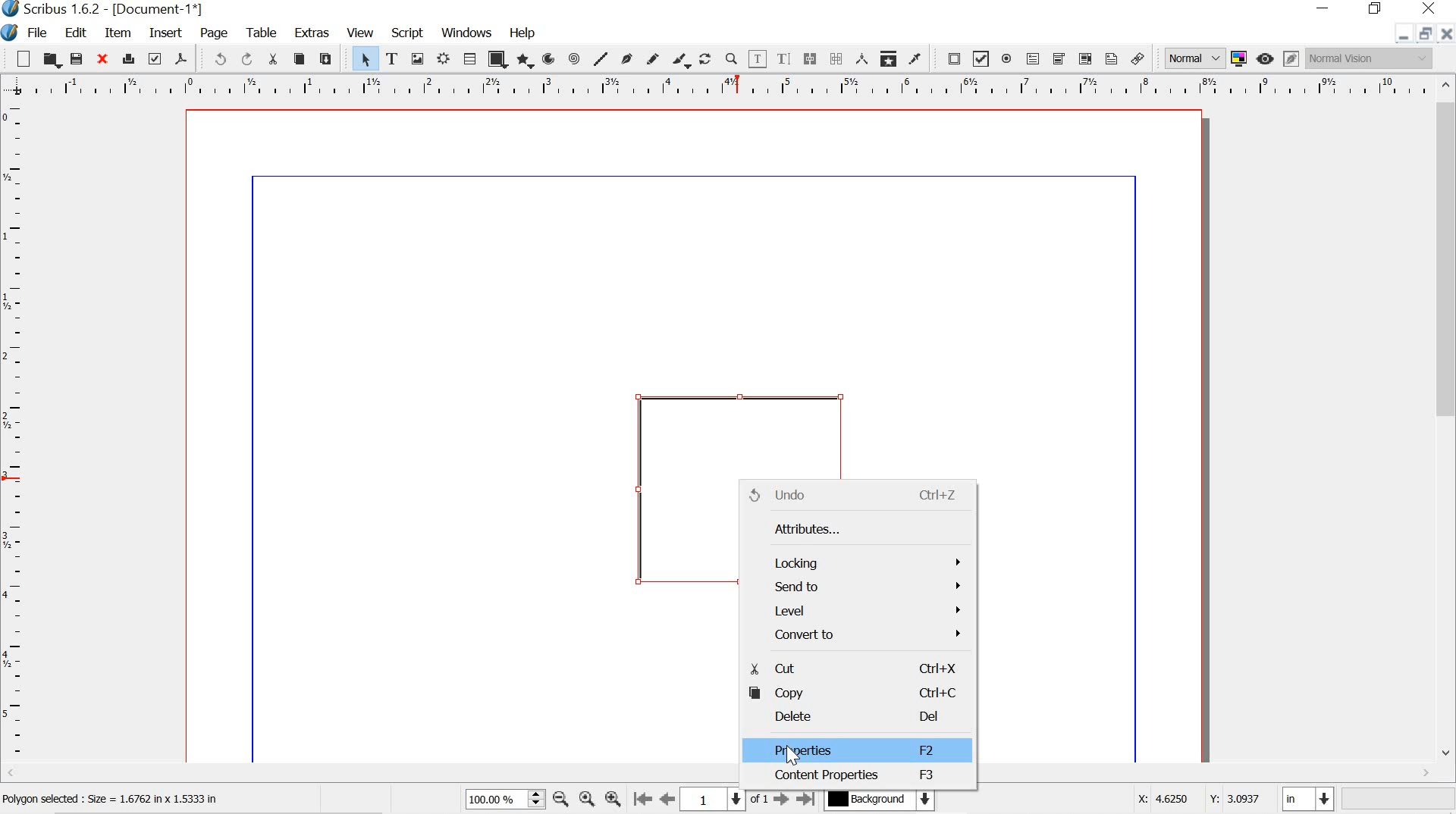 The height and width of the screenshot is (814, 1456). Describe the element at coordinates (854, 778) in the screenshot. I see `content properties` at that location.